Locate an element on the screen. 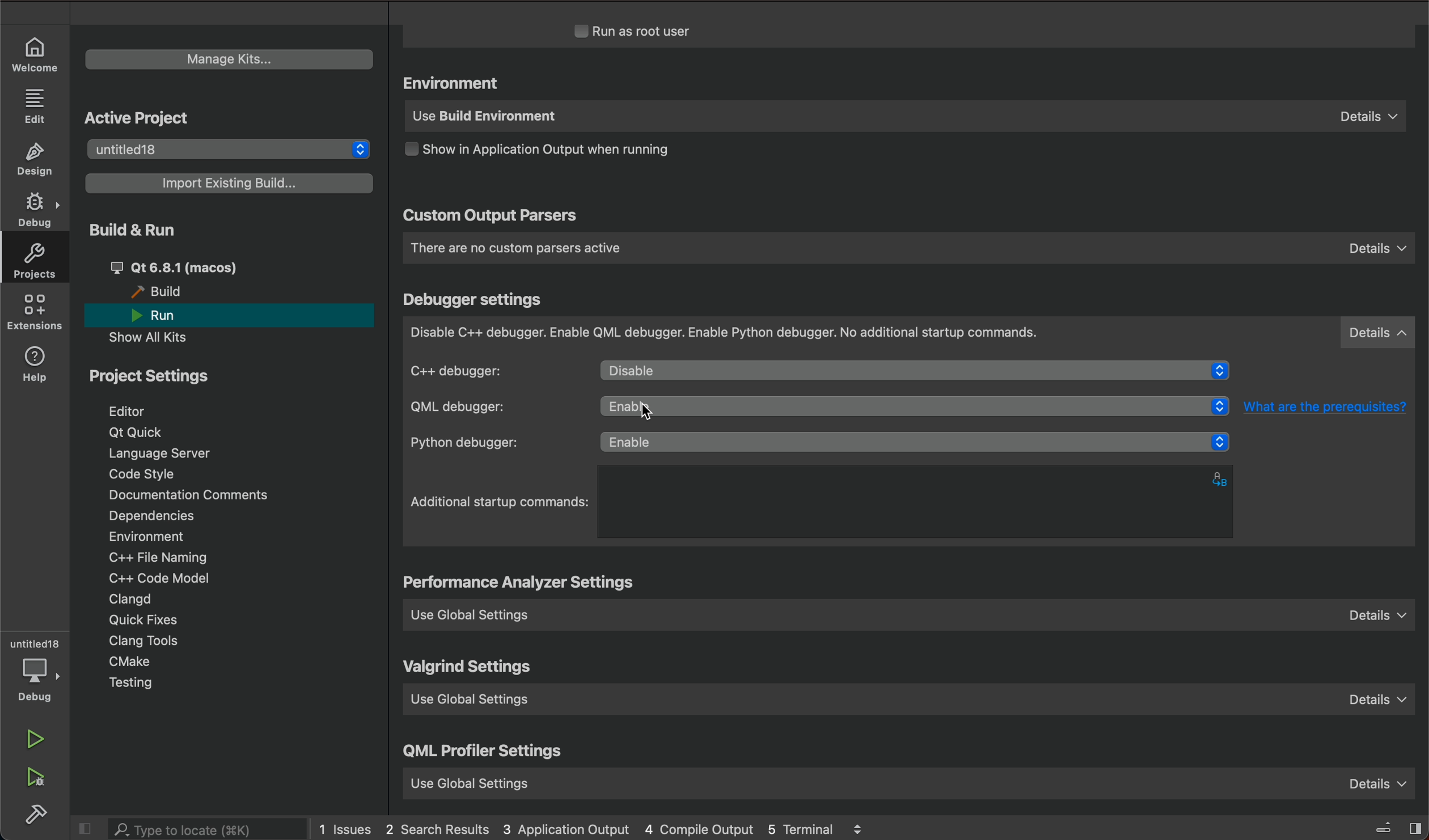  file naming is located at coordinates (164, 559).